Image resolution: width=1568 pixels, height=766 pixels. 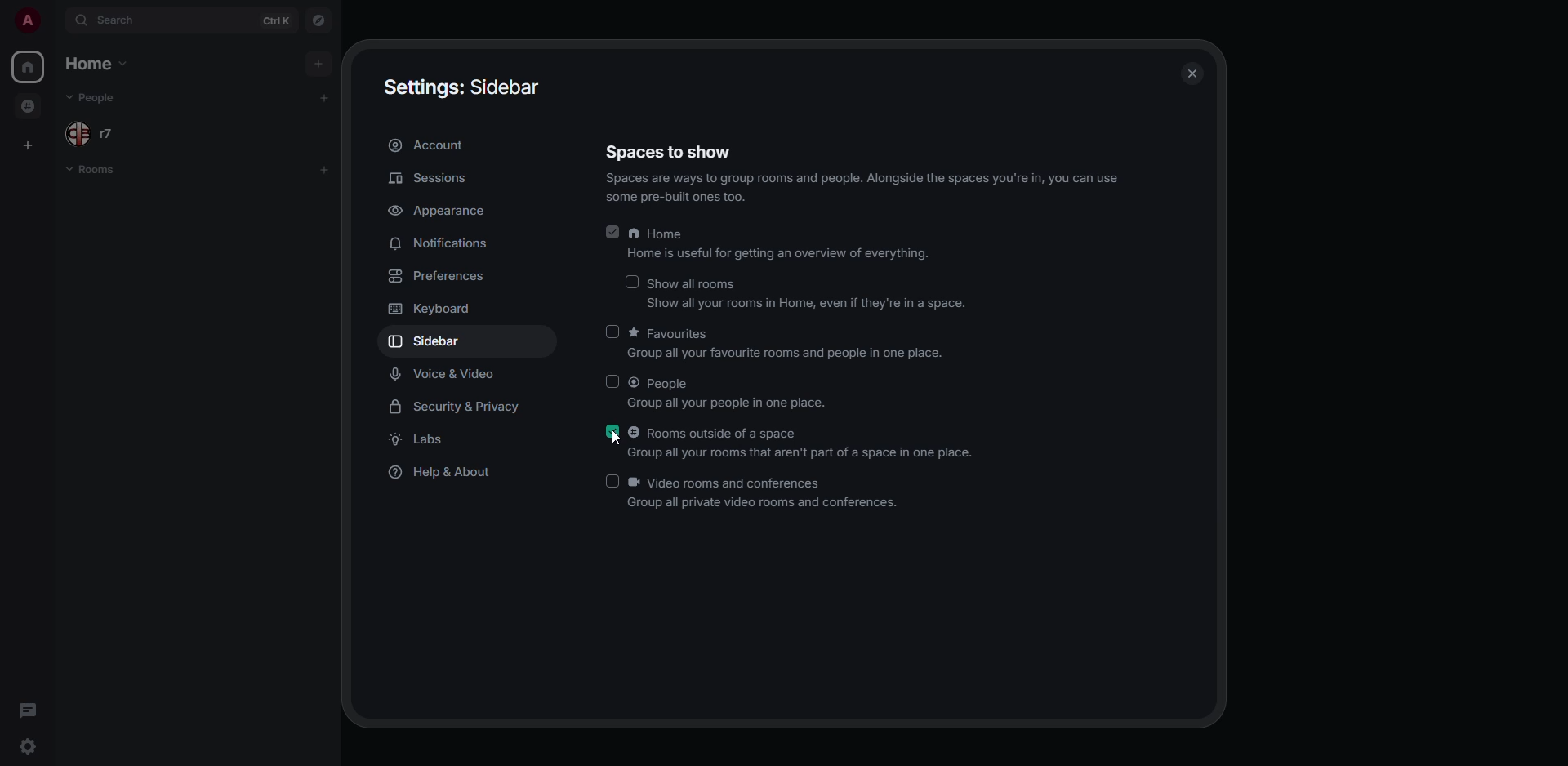 I want to click on cursor, so click(x=615, y=439).